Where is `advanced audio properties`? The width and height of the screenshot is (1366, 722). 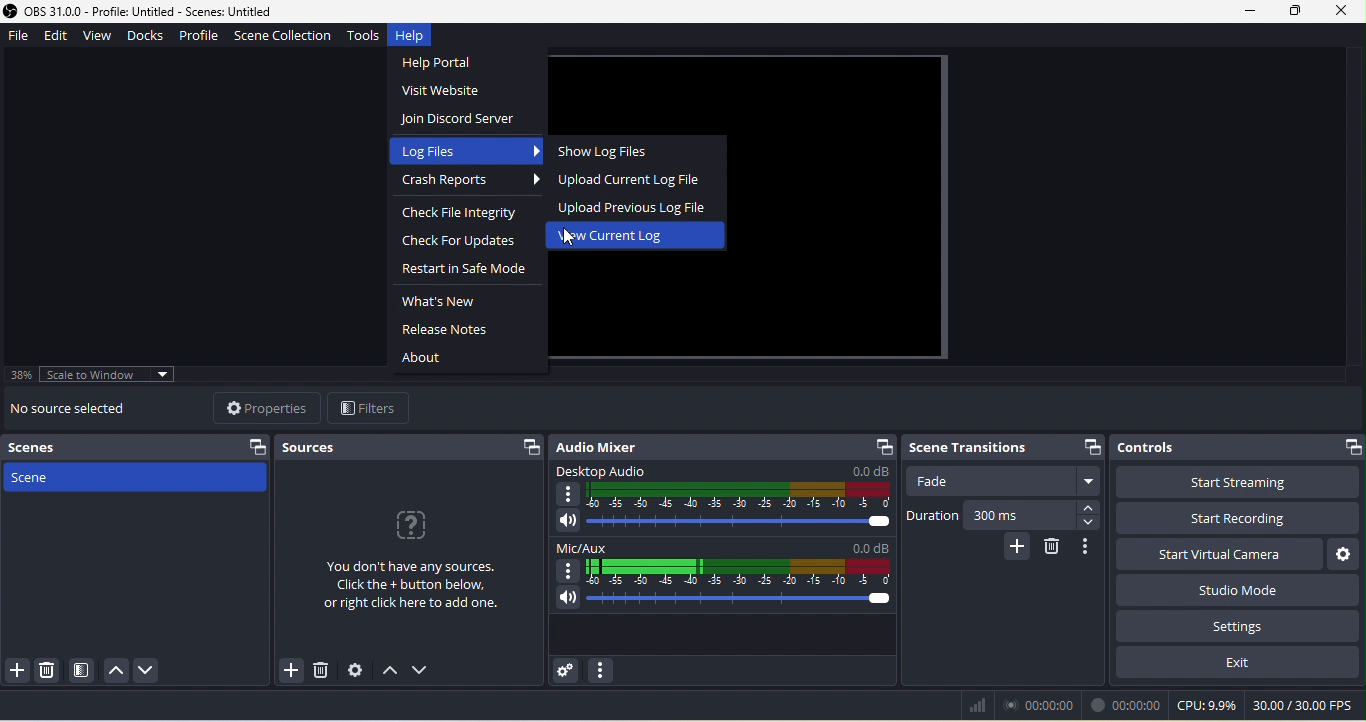
advanced audio properties is located at coordinates (568, 670).